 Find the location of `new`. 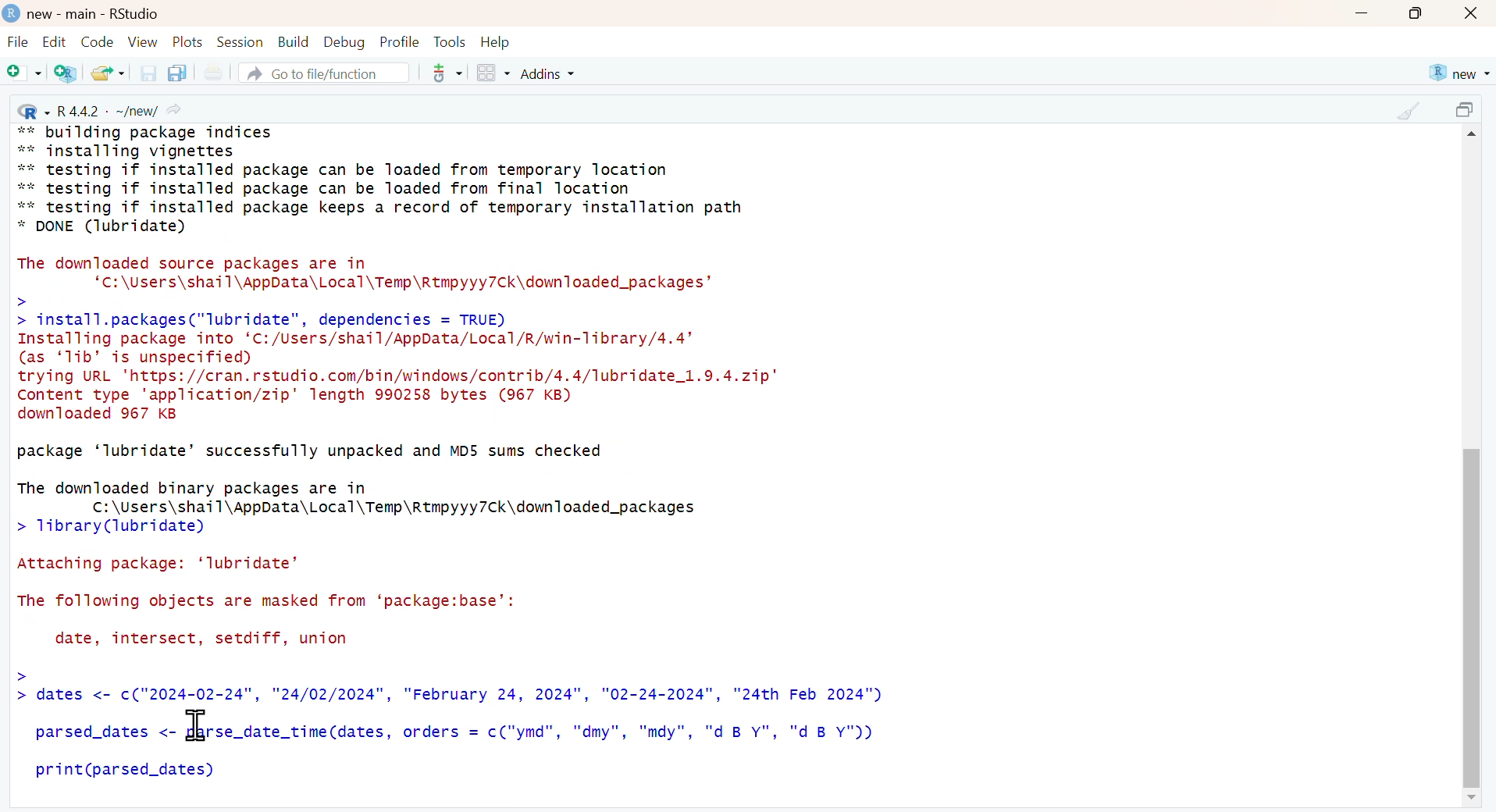

new is located at coordinates (1458, 73).